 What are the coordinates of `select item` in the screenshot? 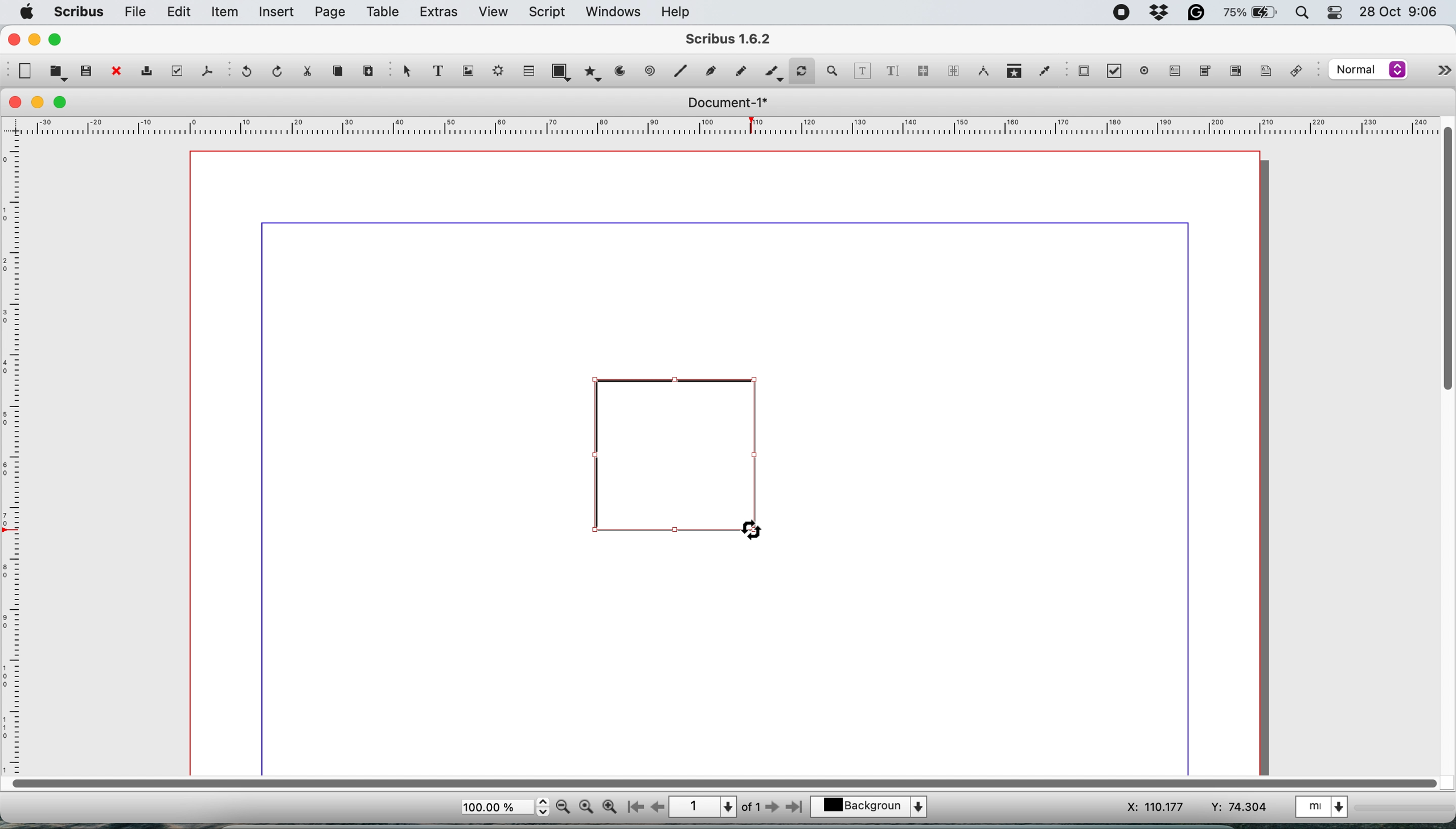 It's located at (407, 75).